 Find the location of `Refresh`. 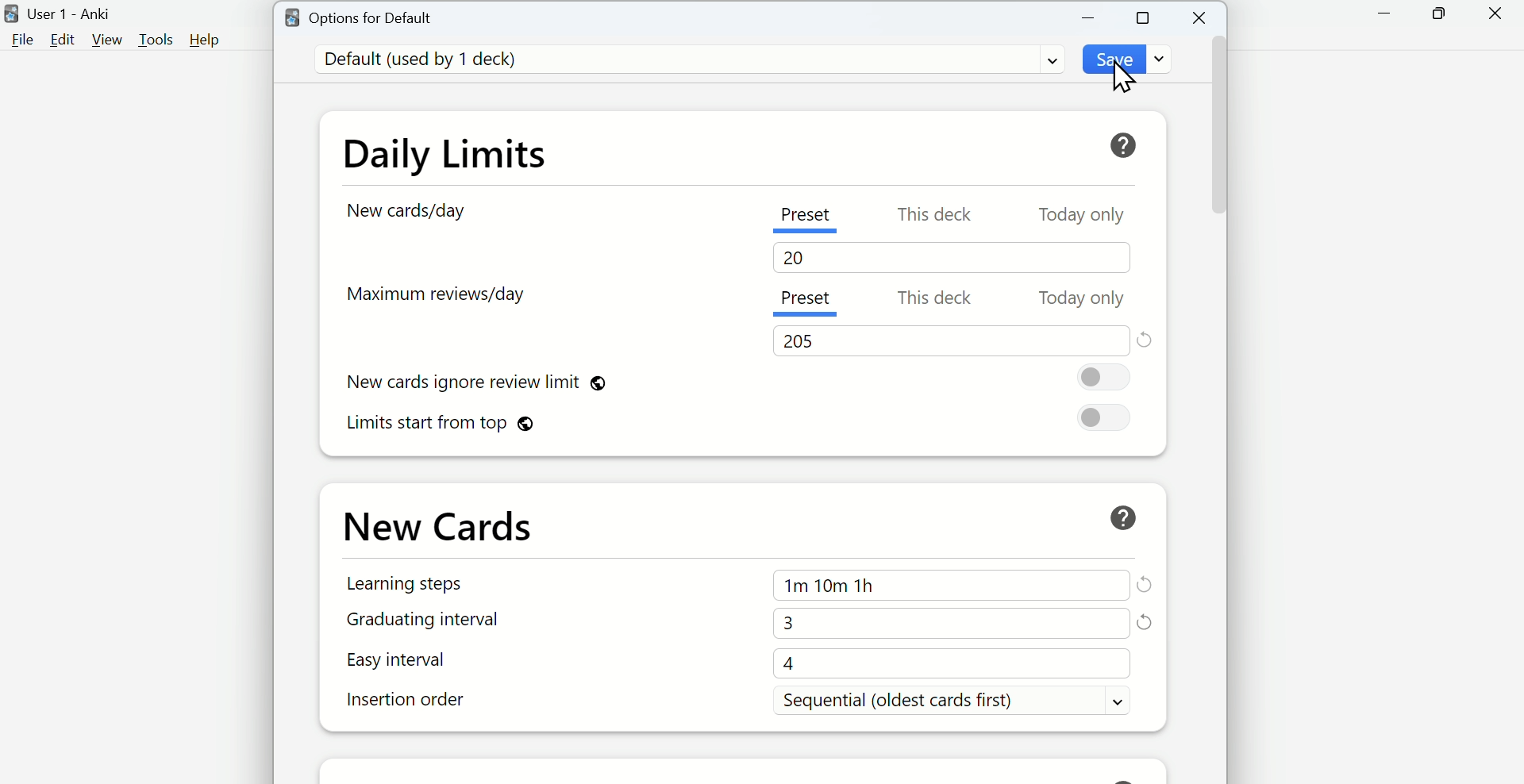

Refresh is located at coordinates (1144, 578).